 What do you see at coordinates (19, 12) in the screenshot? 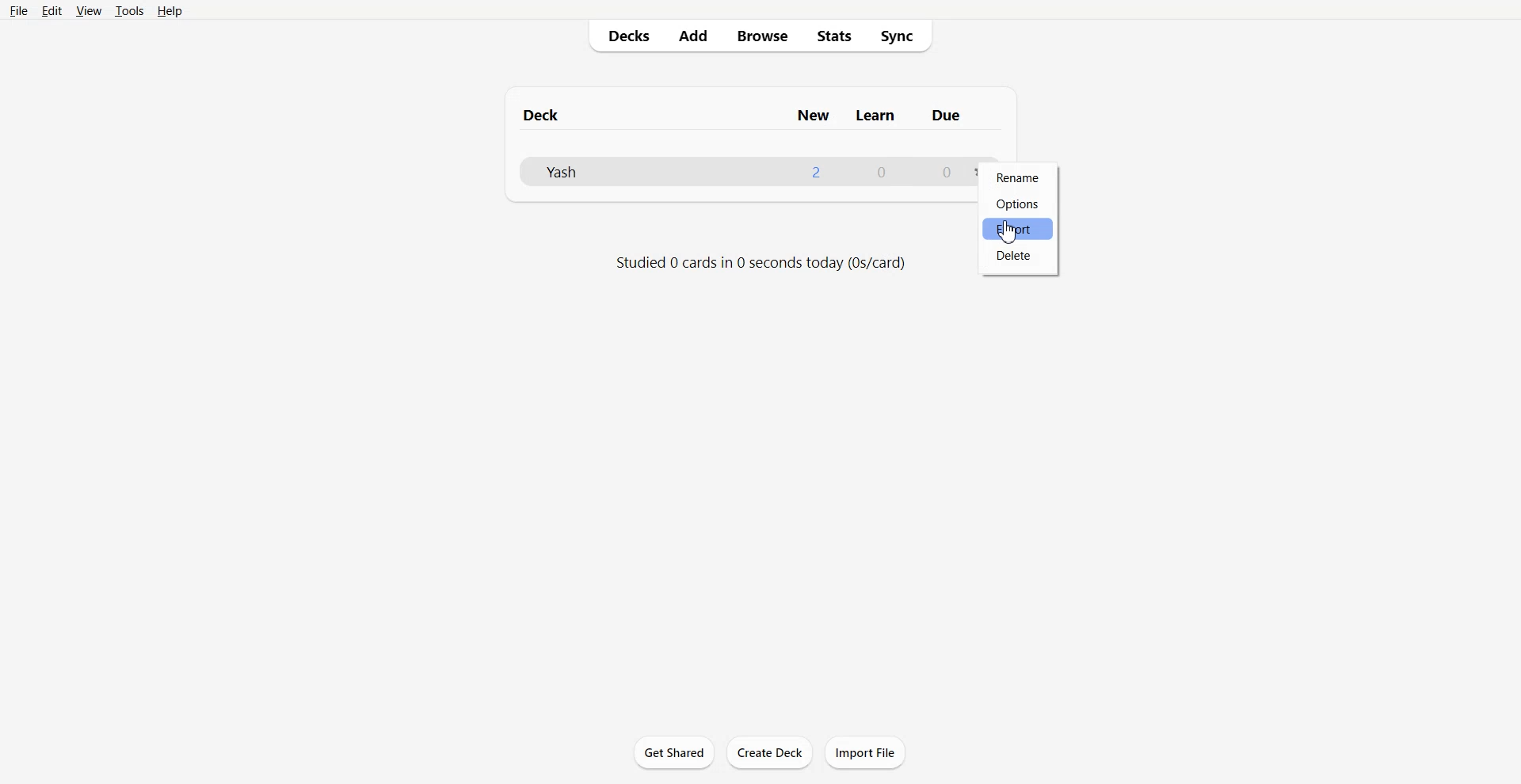
I see `File` at bounding box center [19, 12].